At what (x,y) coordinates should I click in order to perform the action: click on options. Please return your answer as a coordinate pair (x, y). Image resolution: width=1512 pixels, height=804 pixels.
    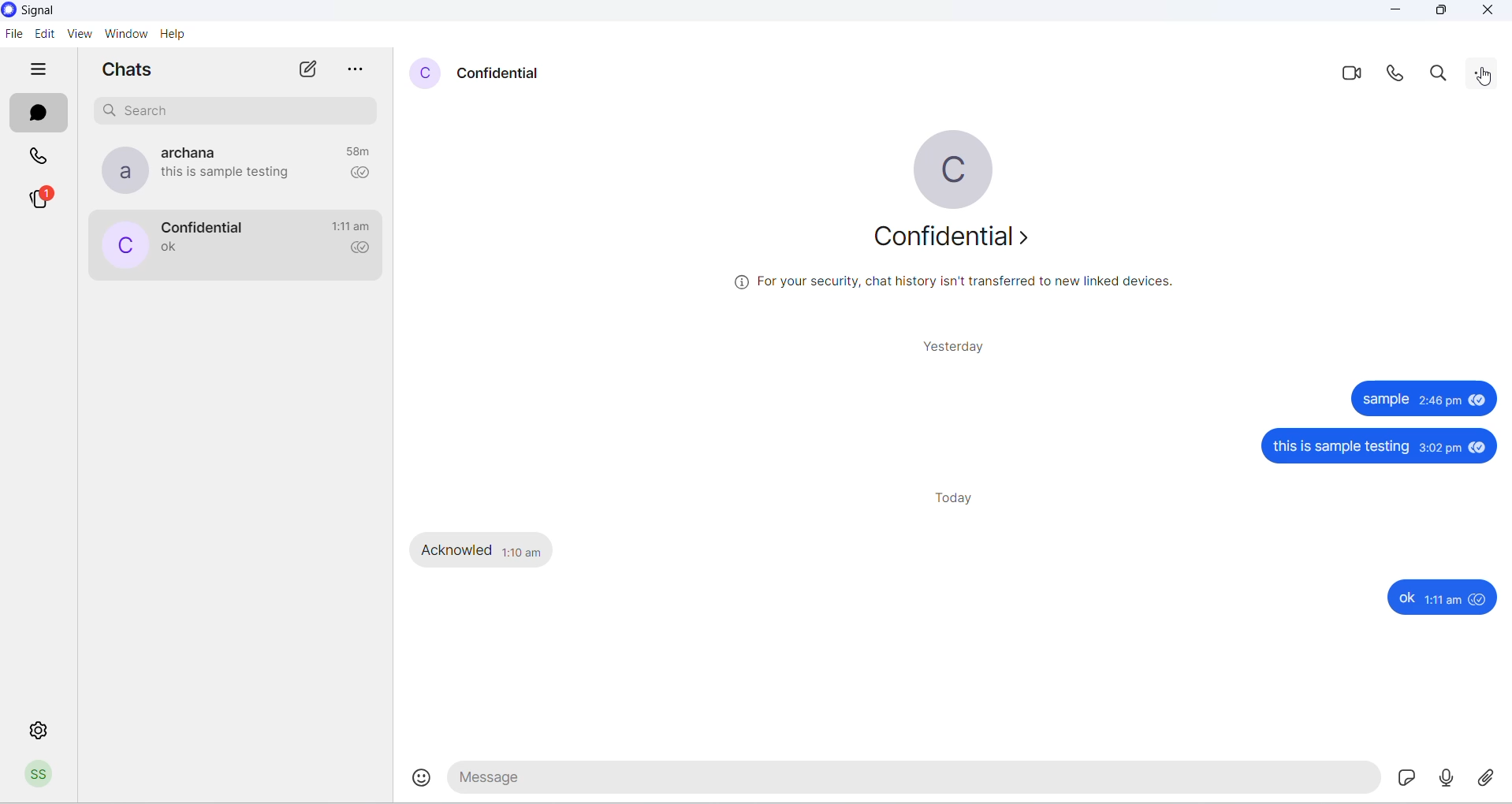
    Looking at the image, I should click on (357, 71).